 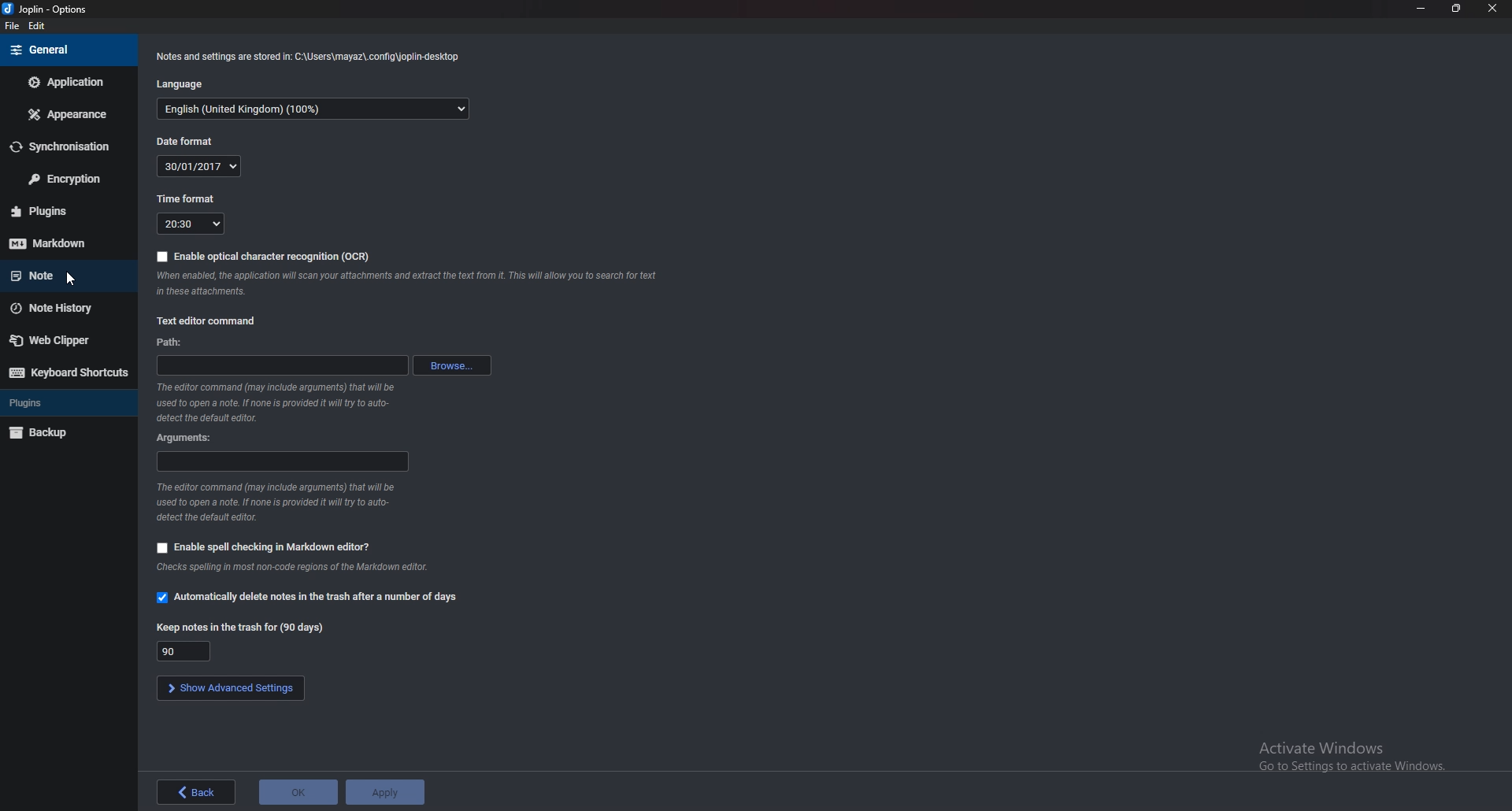 I want to click on Arguments, so click(x=197, y=439).